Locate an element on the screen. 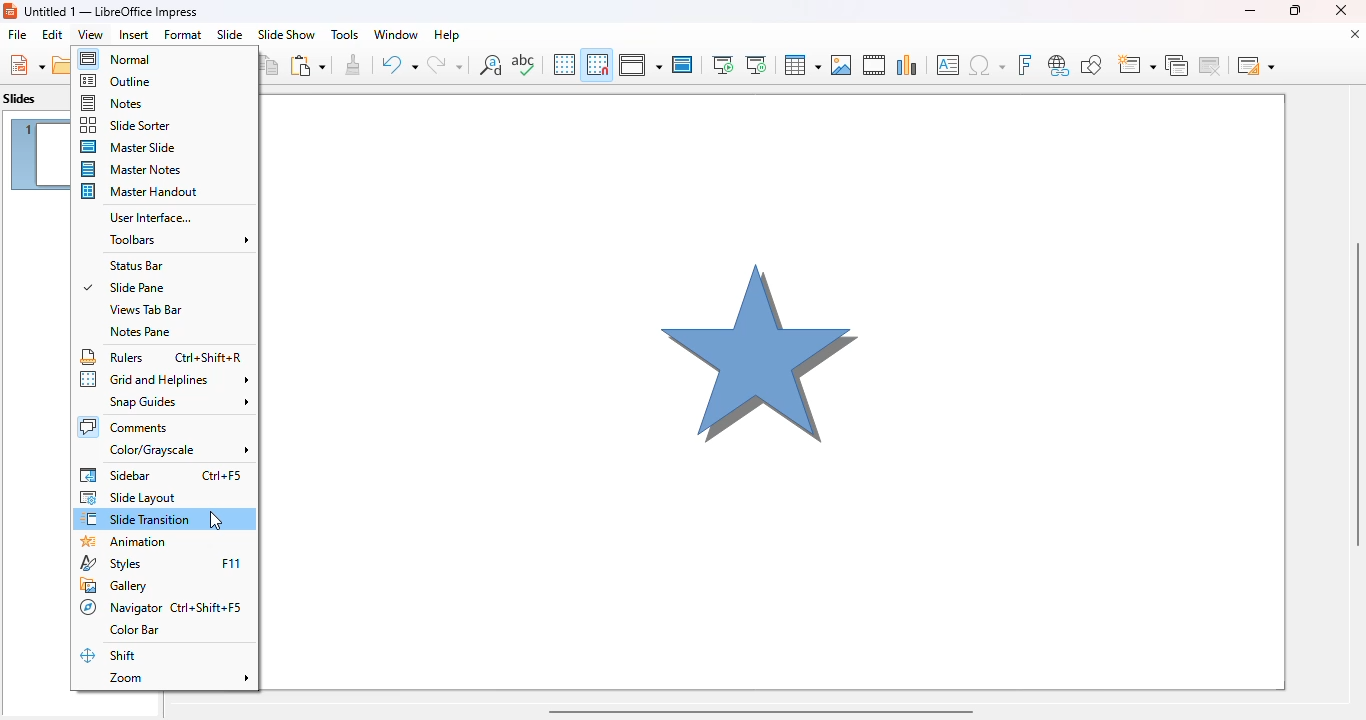  redo is located at coordinates (445, 64).